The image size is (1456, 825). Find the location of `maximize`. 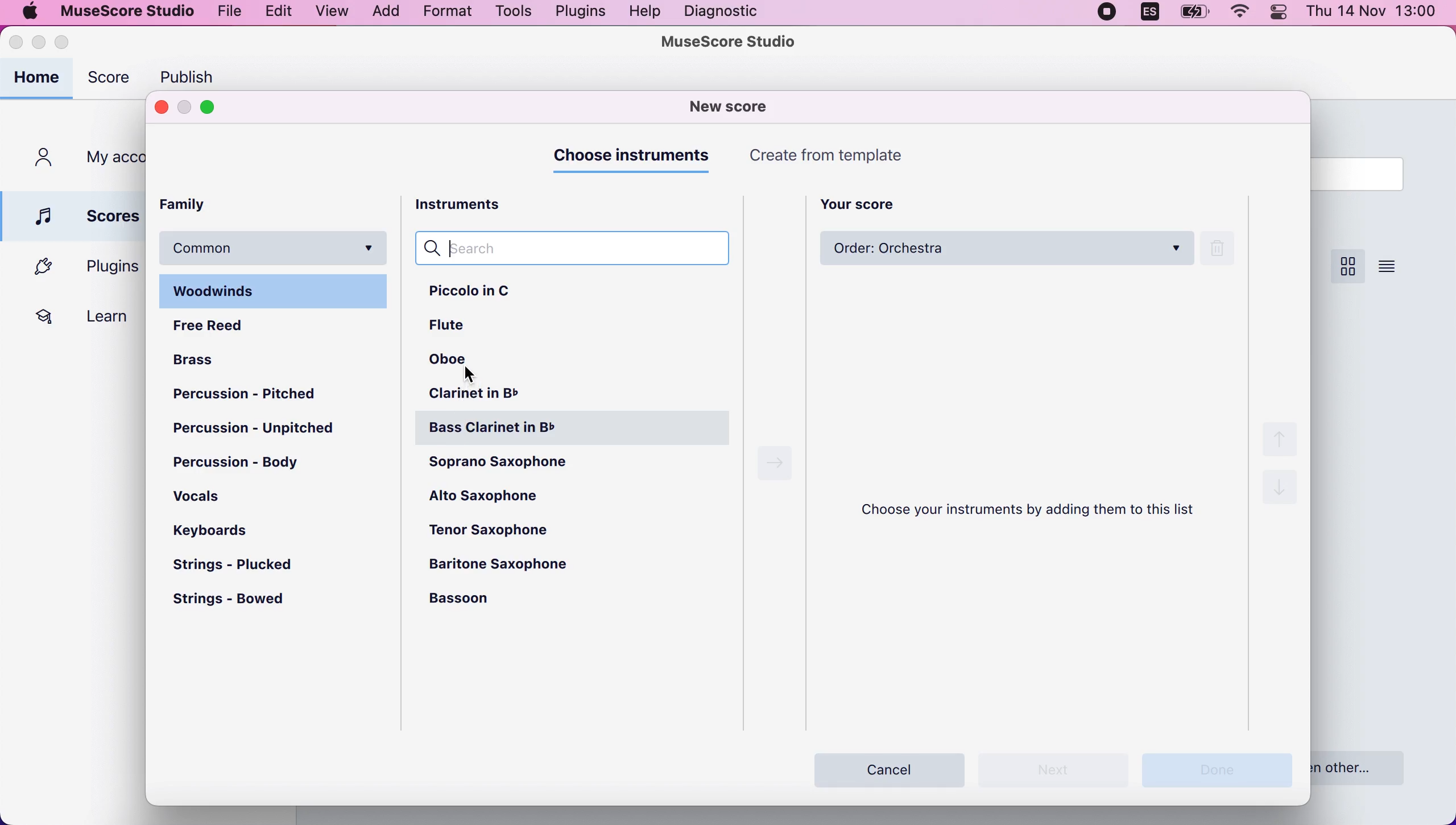

maximize is located at coordinates (75, 43).